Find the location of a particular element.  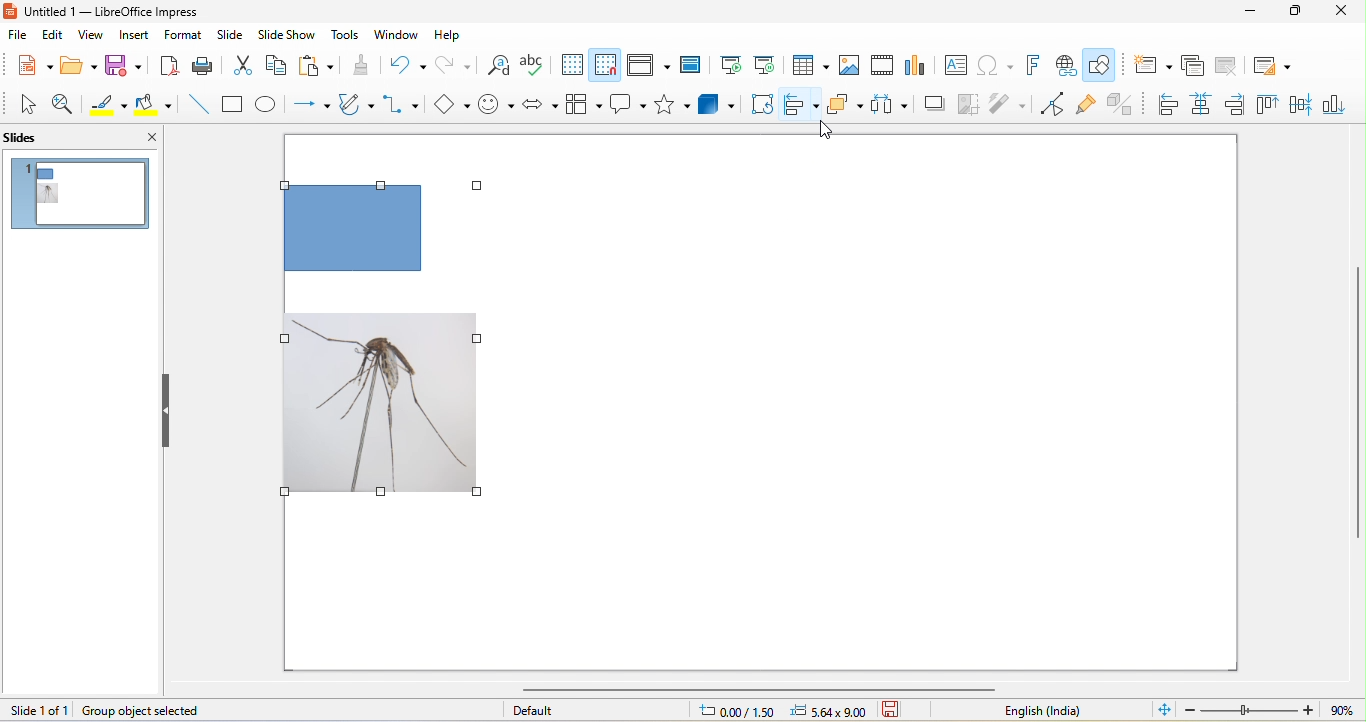

file is located at coordinates (18, 36).